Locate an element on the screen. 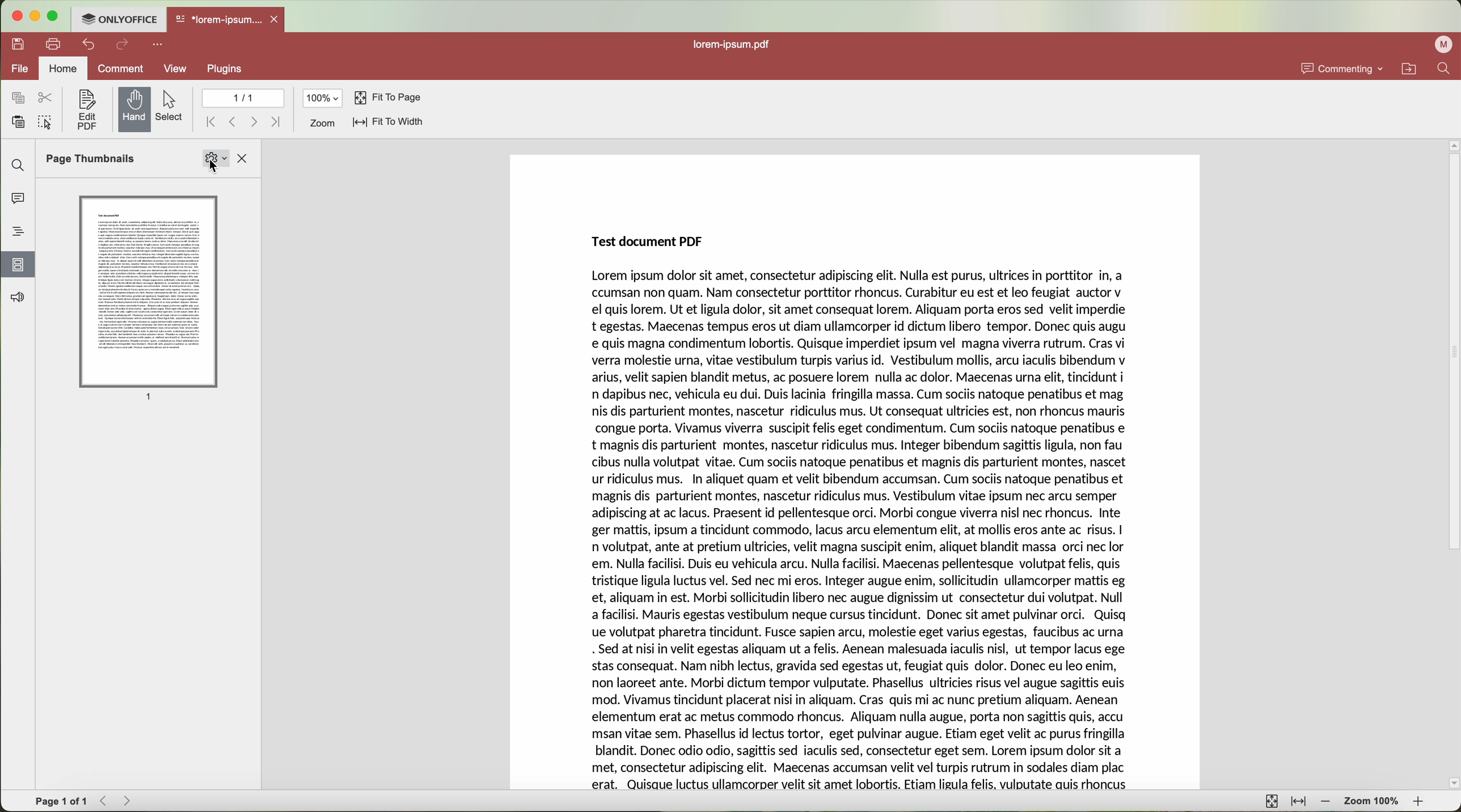 The height and width of the screenshot is (812, 1461). Test document PDF is located at coordinates (648, 242).